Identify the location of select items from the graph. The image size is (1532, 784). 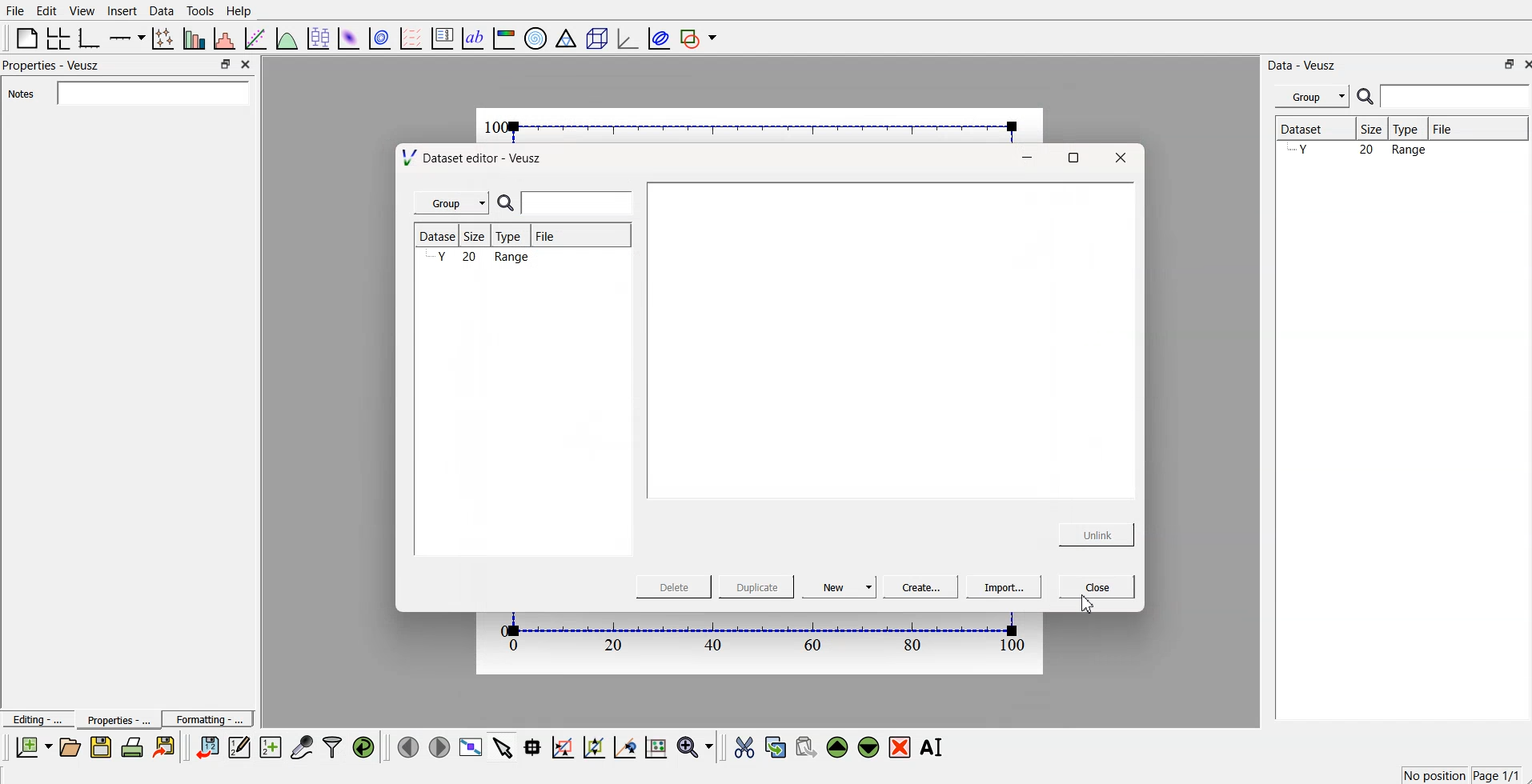
(505, 746).